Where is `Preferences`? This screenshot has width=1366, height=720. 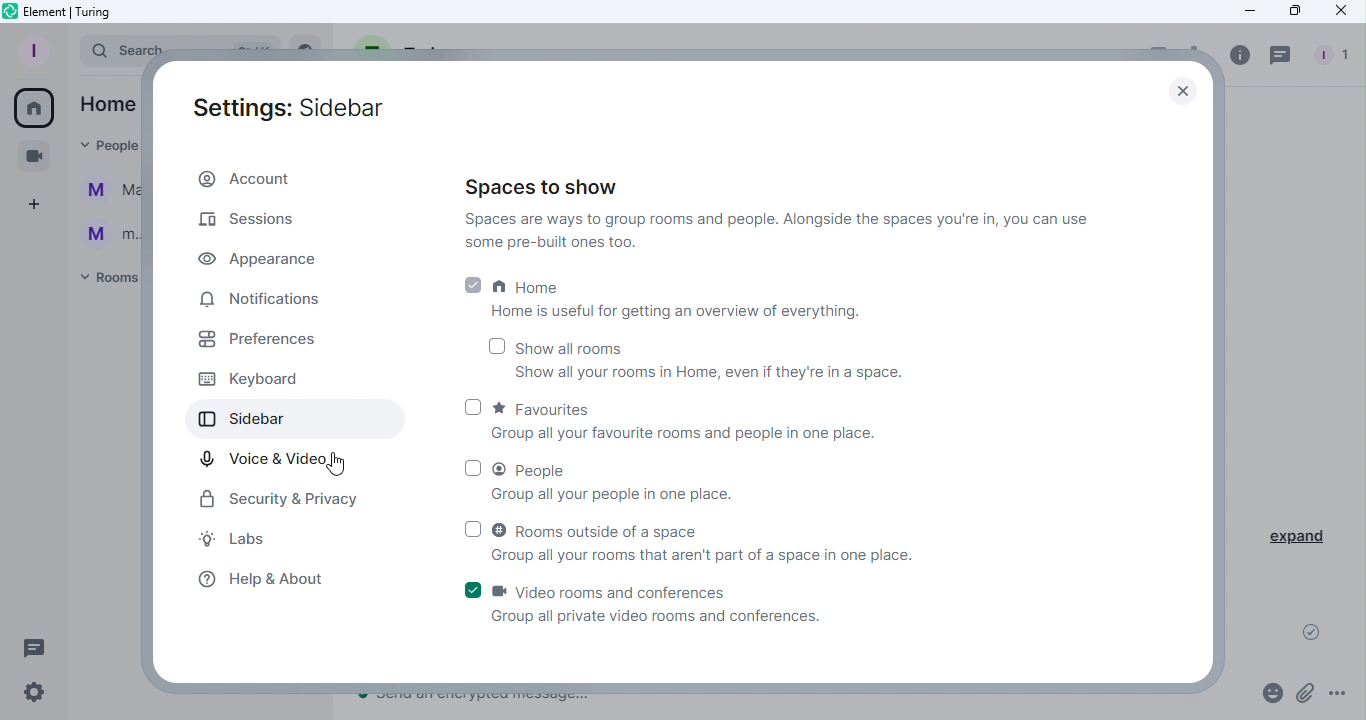
Preferences is located at coordinates (256, 339).